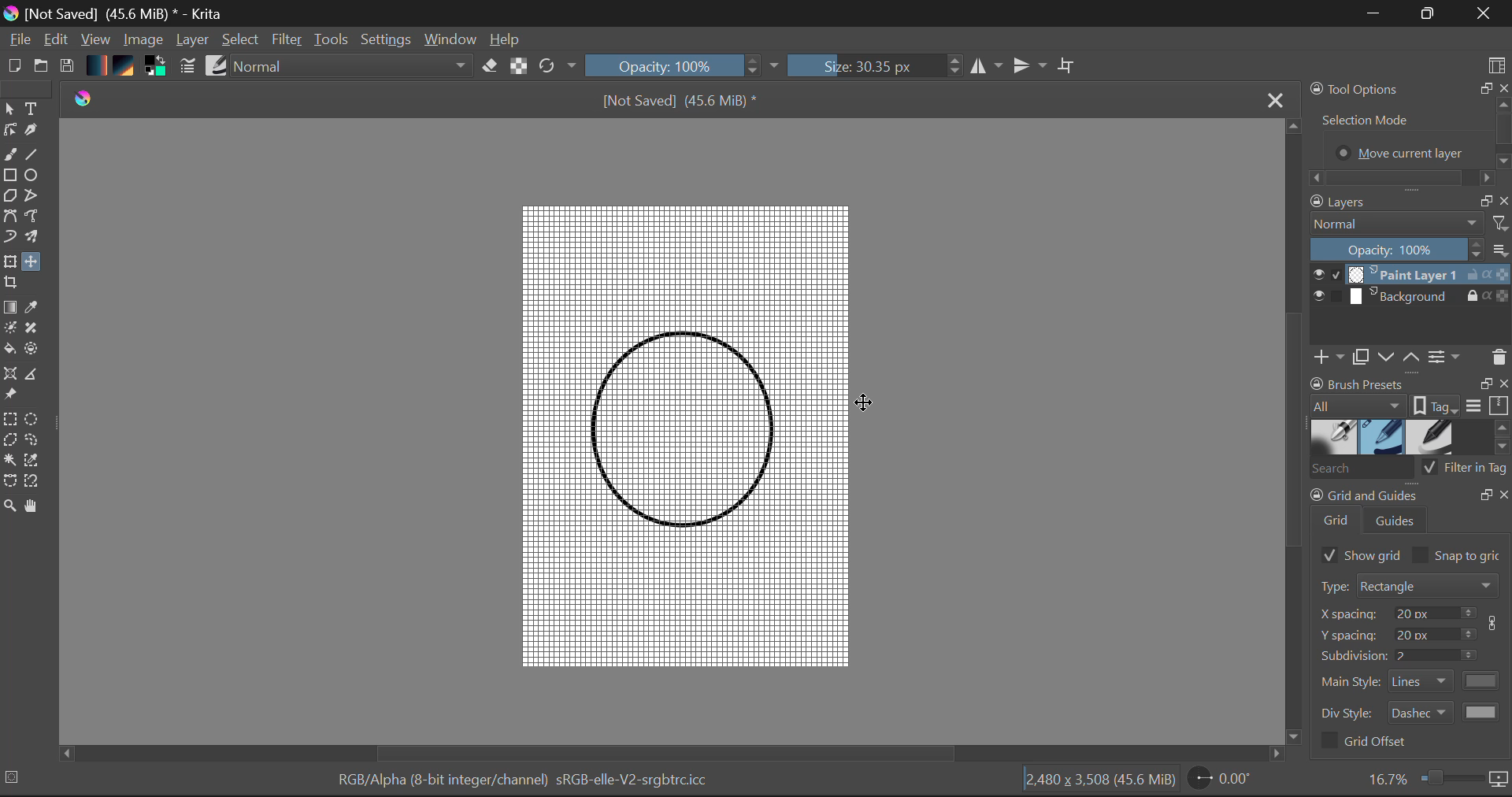 This screenshot has width=1512, height=797. I want to click on Texture, so click(128, 68).